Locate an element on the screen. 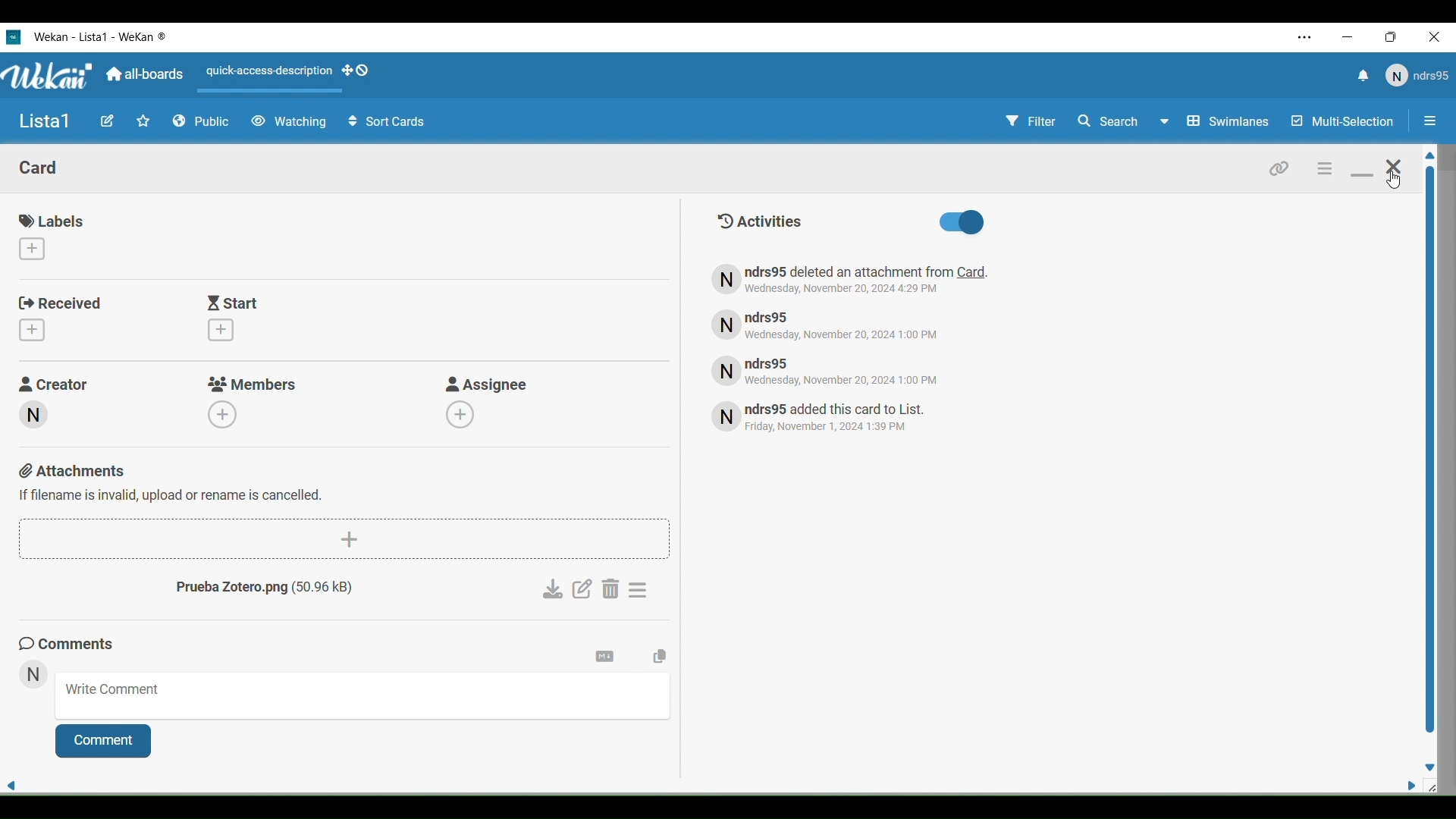  Creator is located at coordinates (56, 382).